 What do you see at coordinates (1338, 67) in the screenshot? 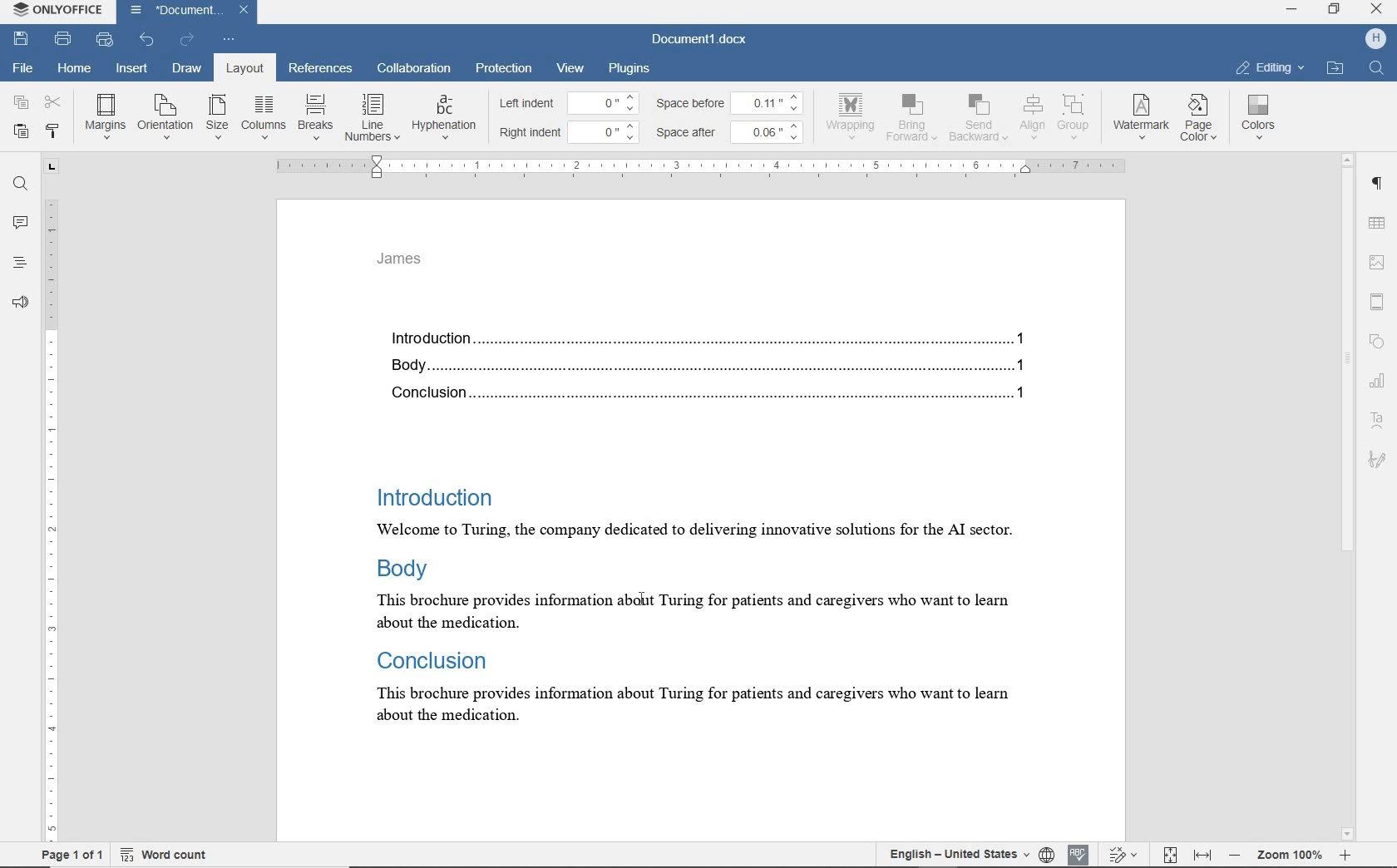
I see `OPEN LINK LOCATION` at bounding box center [1338, 67].